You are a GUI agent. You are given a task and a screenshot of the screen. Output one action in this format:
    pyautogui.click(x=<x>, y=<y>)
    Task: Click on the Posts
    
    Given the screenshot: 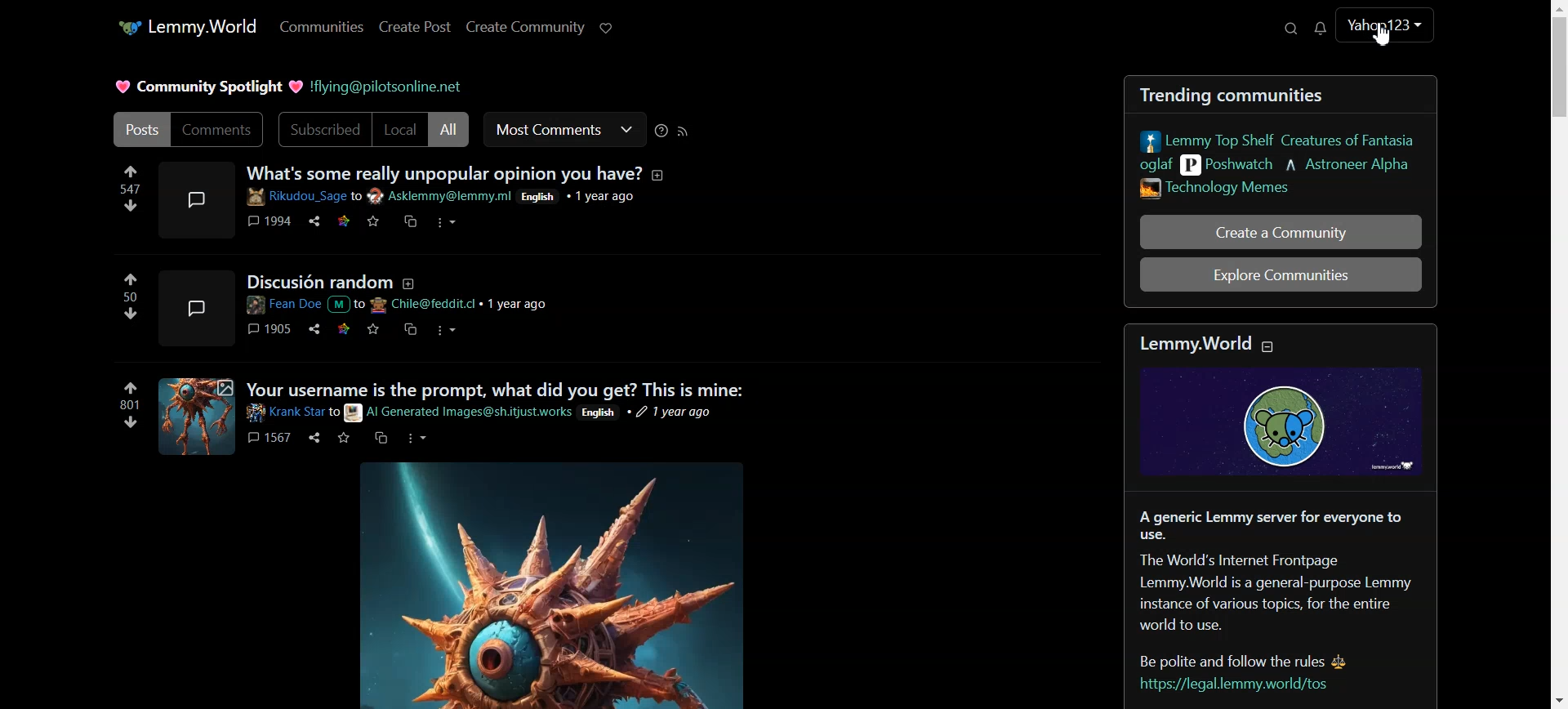 What is the action you would take?
    pyautogui.click(x=139, y=129)
    